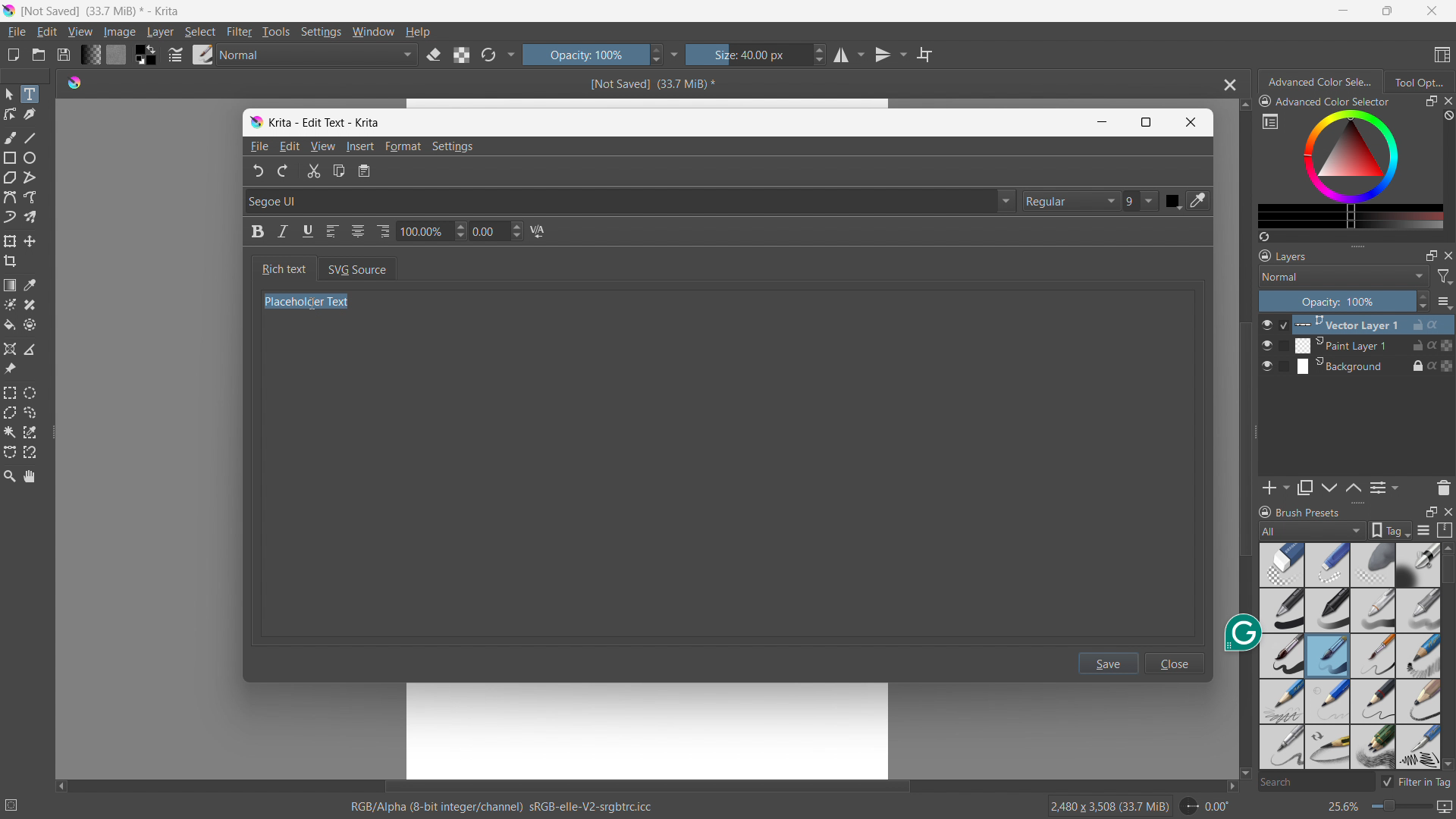 This screenshot has height=819, width=1456. What do you see at coordinates (1372, 657) in the screenshot?
I see `small pin brush` at bounding box center [1372, 657].